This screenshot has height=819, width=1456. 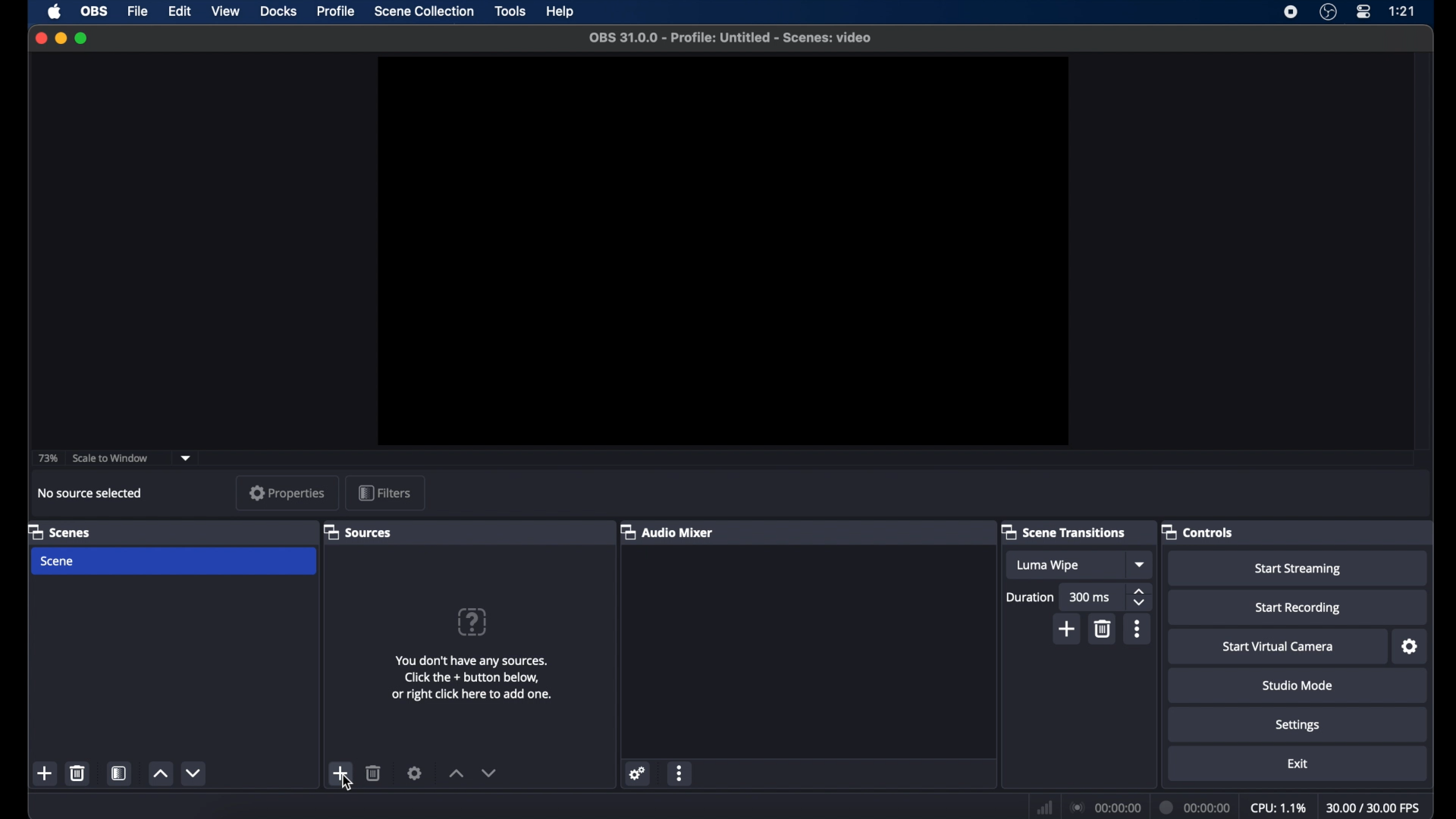 What do you see at coordinates (60, 532) in the screenshot?
I see `scenes` at bounding box center [60, 532].